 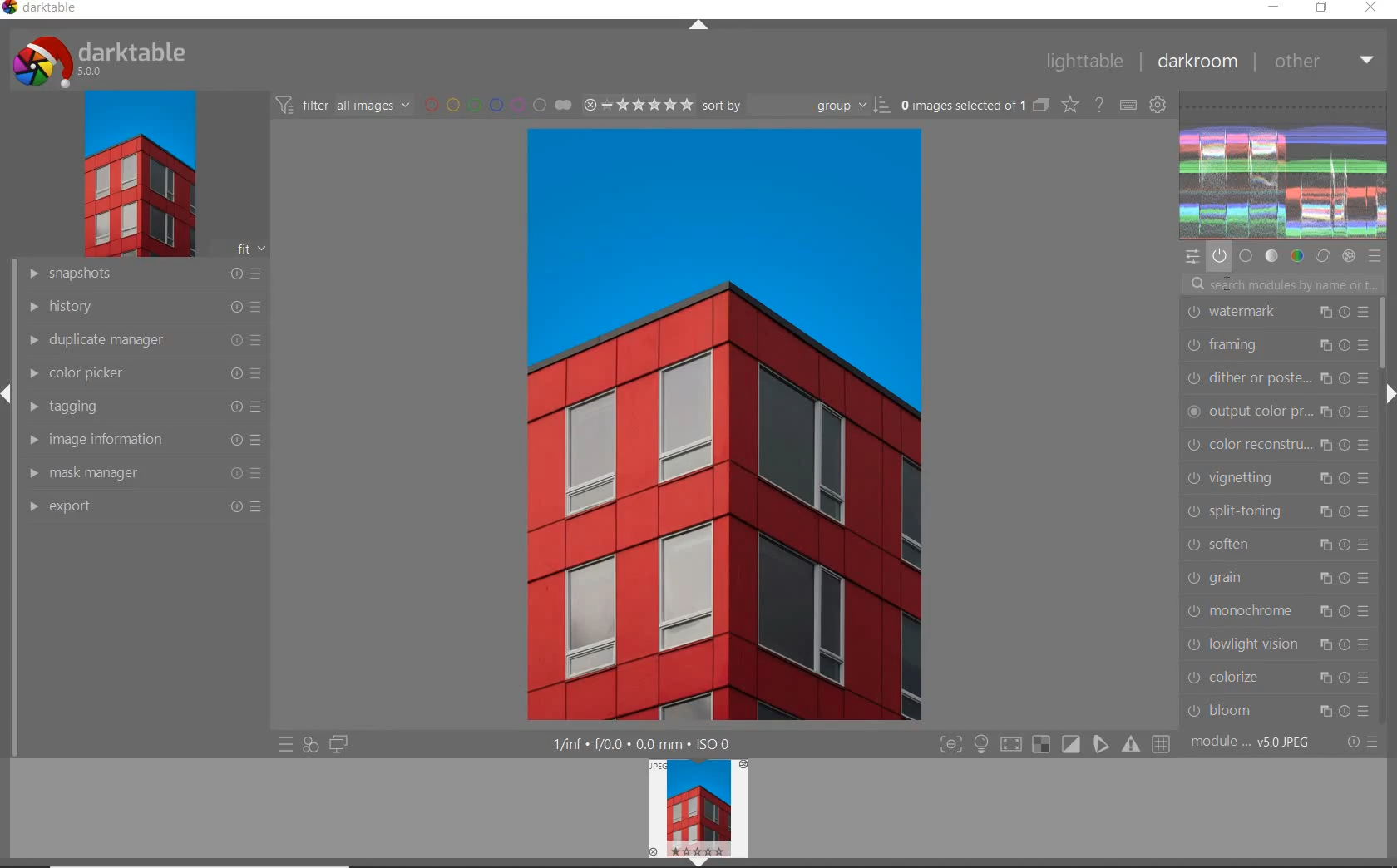 I want to click on scollbar, so click(x=1387, y=333).